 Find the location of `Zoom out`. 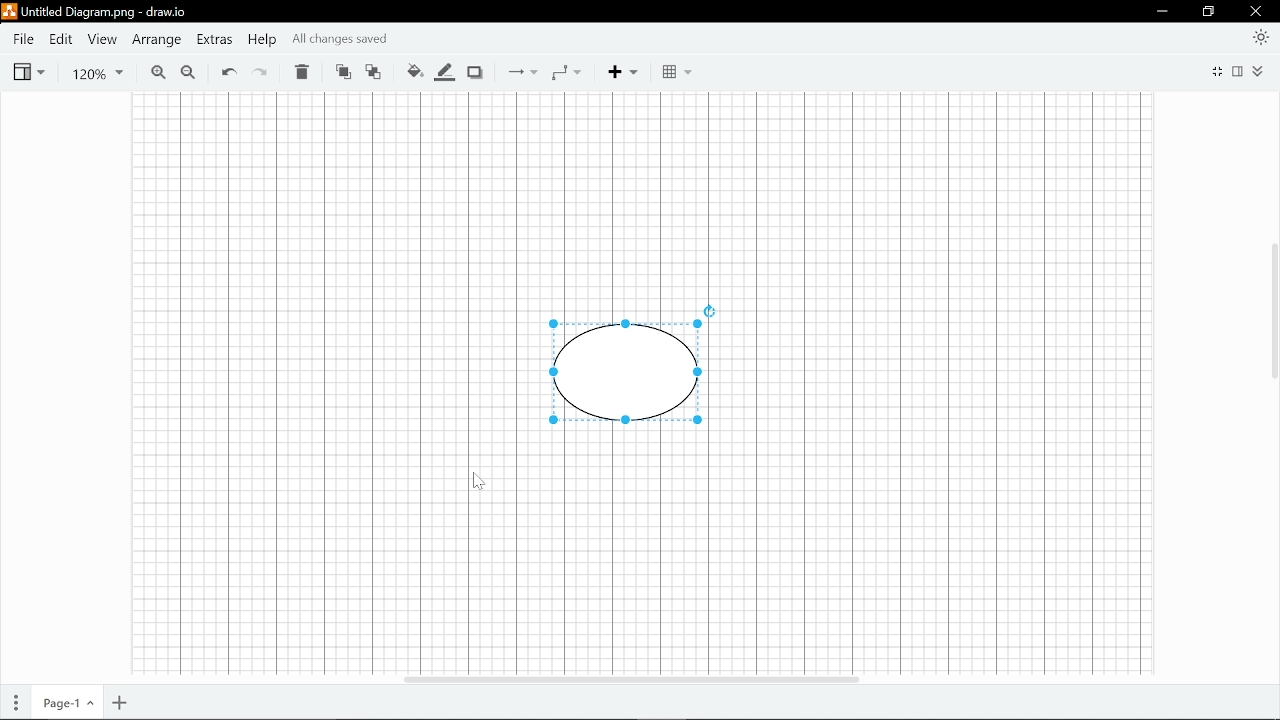

Zoom out is located at coordinates (187, 72).